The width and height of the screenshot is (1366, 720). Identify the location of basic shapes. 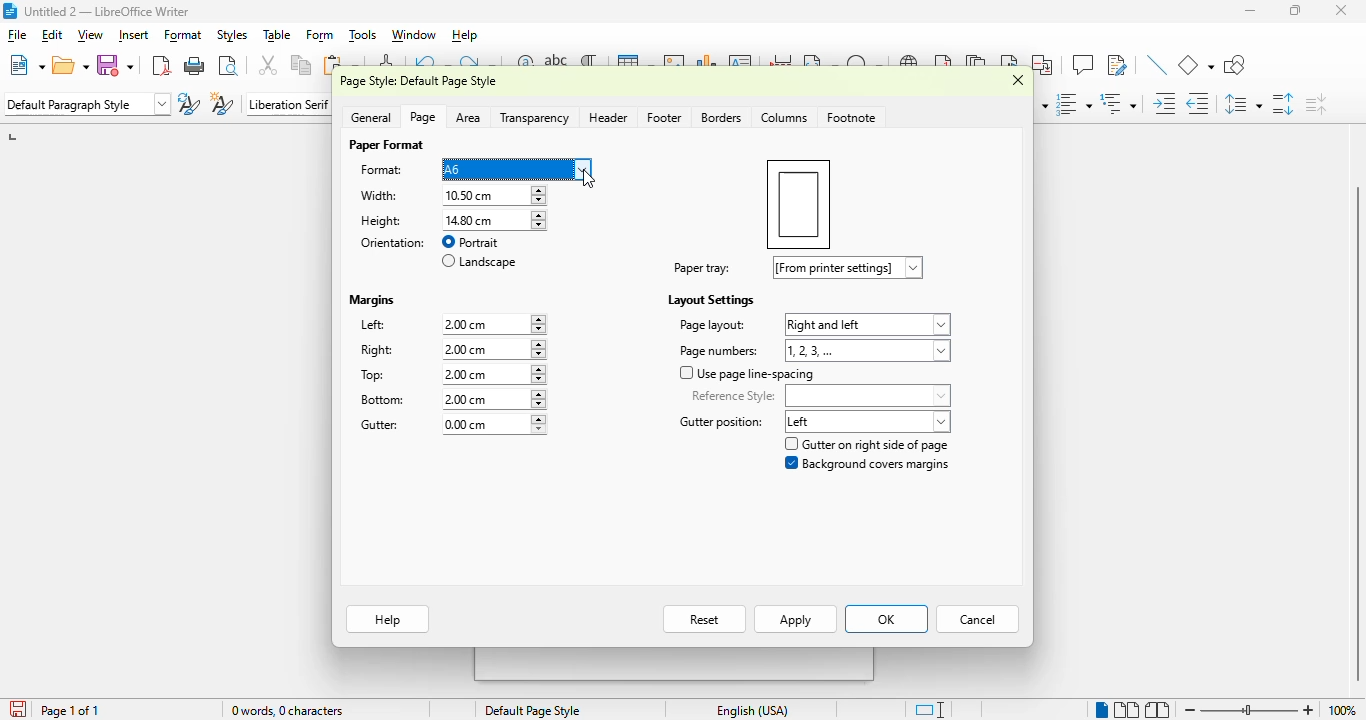
(1197, 66).